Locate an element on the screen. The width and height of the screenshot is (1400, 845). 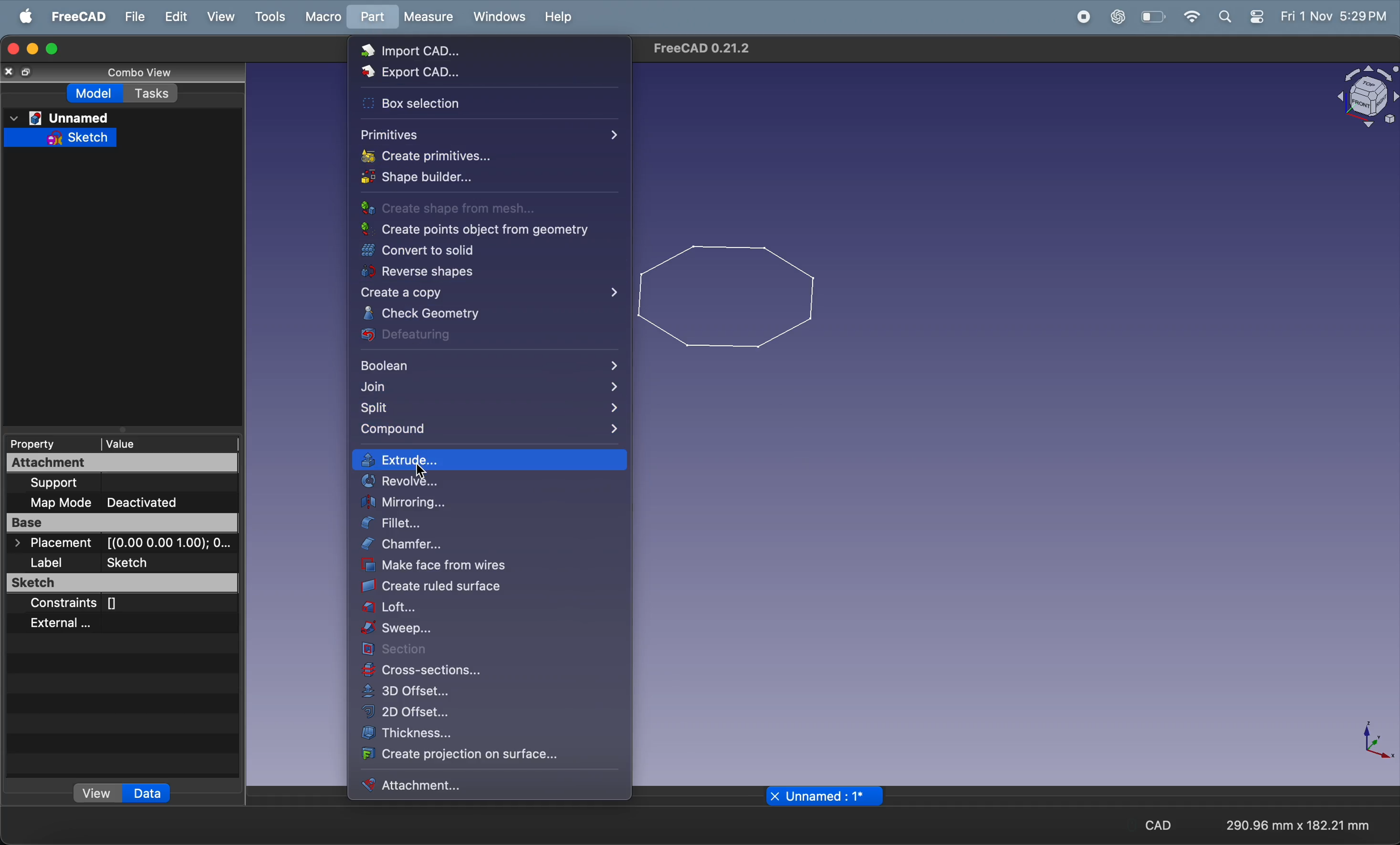
sketcg is located at coordinates (139, 563).